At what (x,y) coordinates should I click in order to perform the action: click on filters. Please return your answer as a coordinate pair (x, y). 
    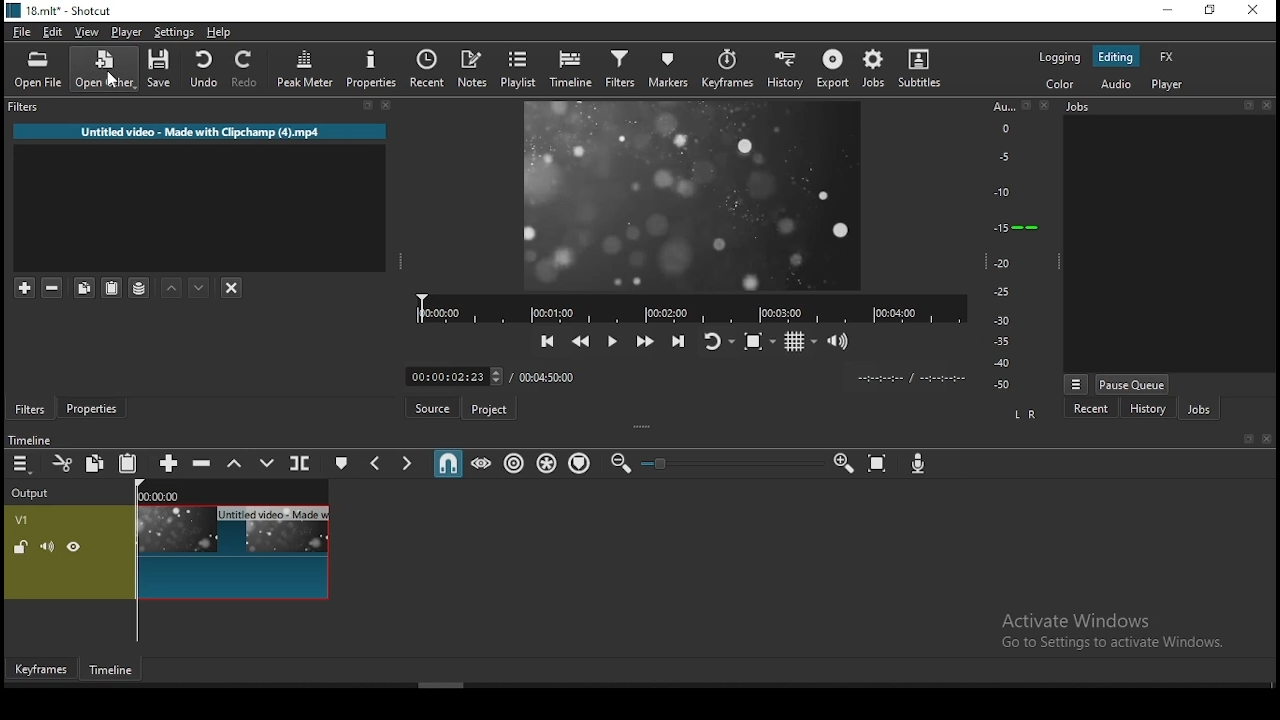
    Looking at the image, I should click on (618, 70).